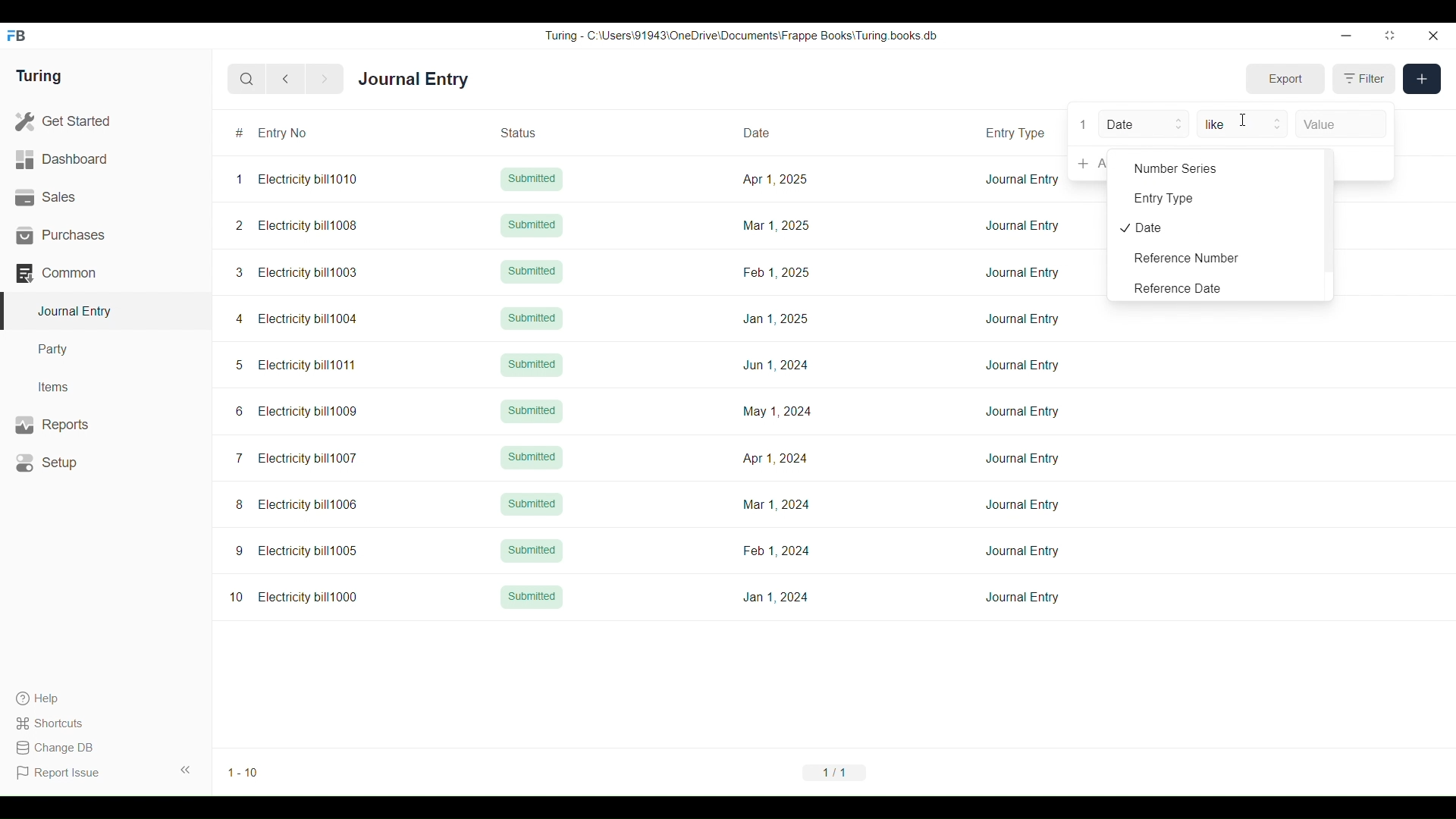  Describe the element at coordinates (1022, 504) in the screenshot. I see `Journal Entry` at that location.